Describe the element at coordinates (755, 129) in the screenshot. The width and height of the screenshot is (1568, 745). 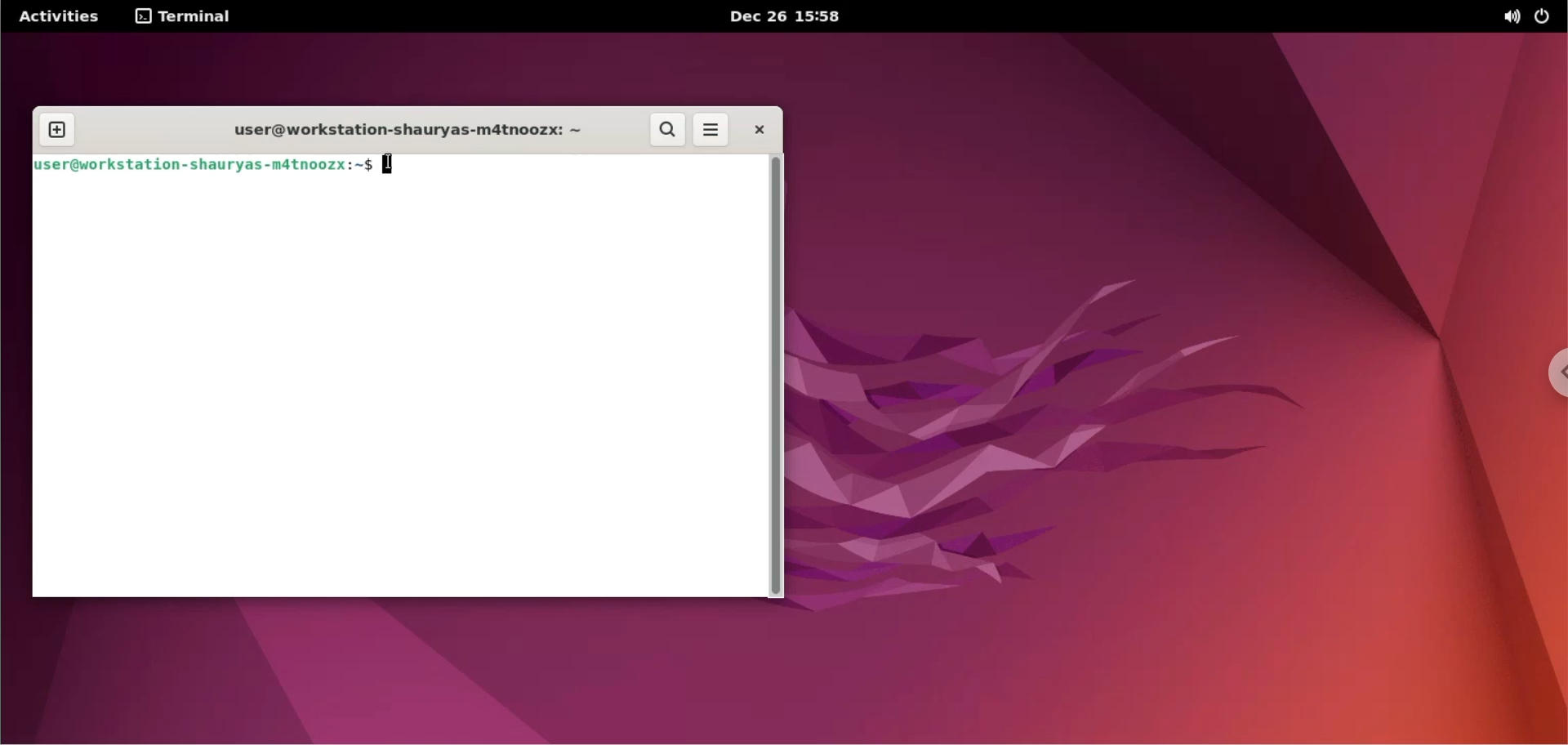
I see `close` at that location.